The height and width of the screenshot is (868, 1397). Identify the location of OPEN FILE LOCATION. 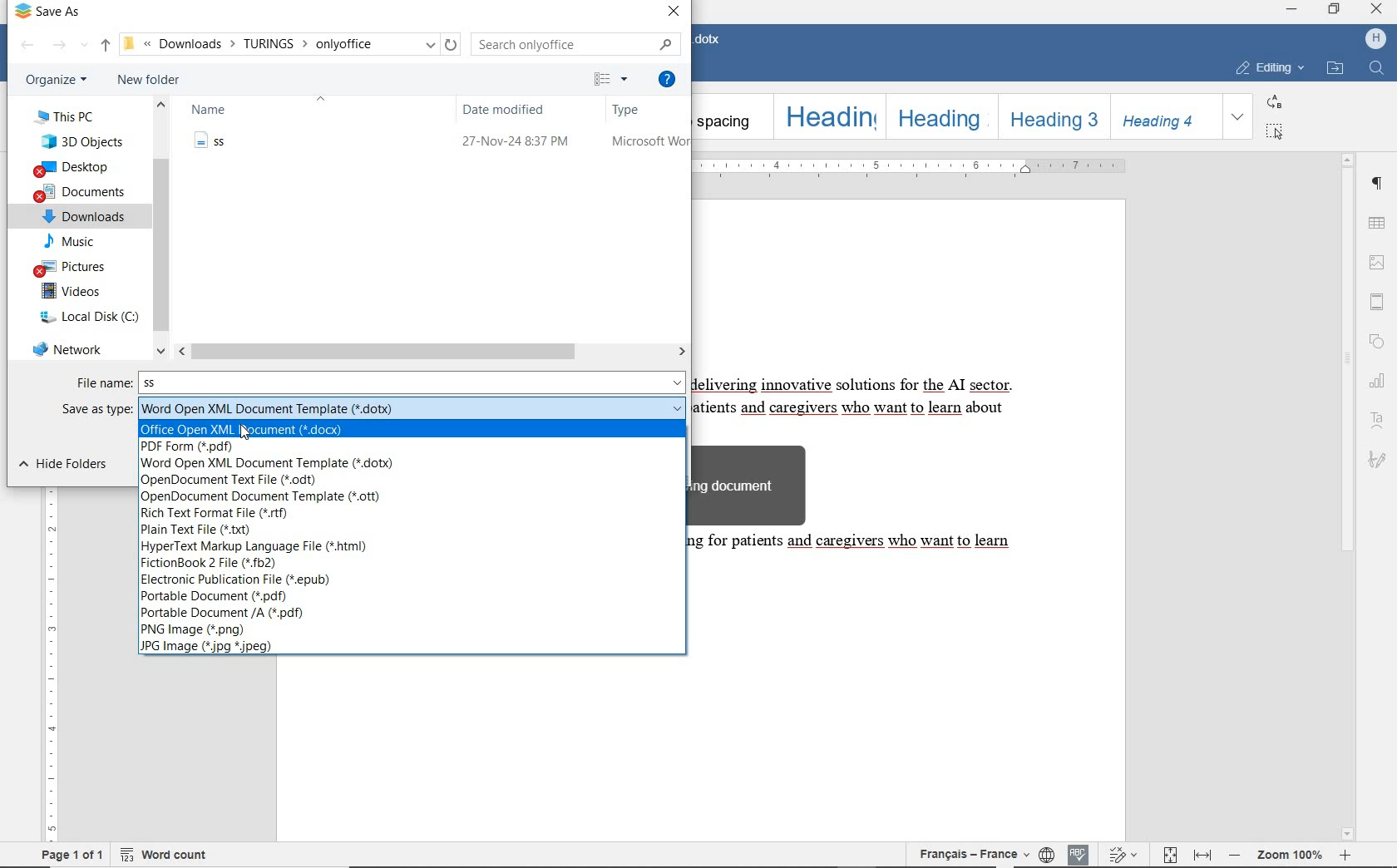
(1335, 67).